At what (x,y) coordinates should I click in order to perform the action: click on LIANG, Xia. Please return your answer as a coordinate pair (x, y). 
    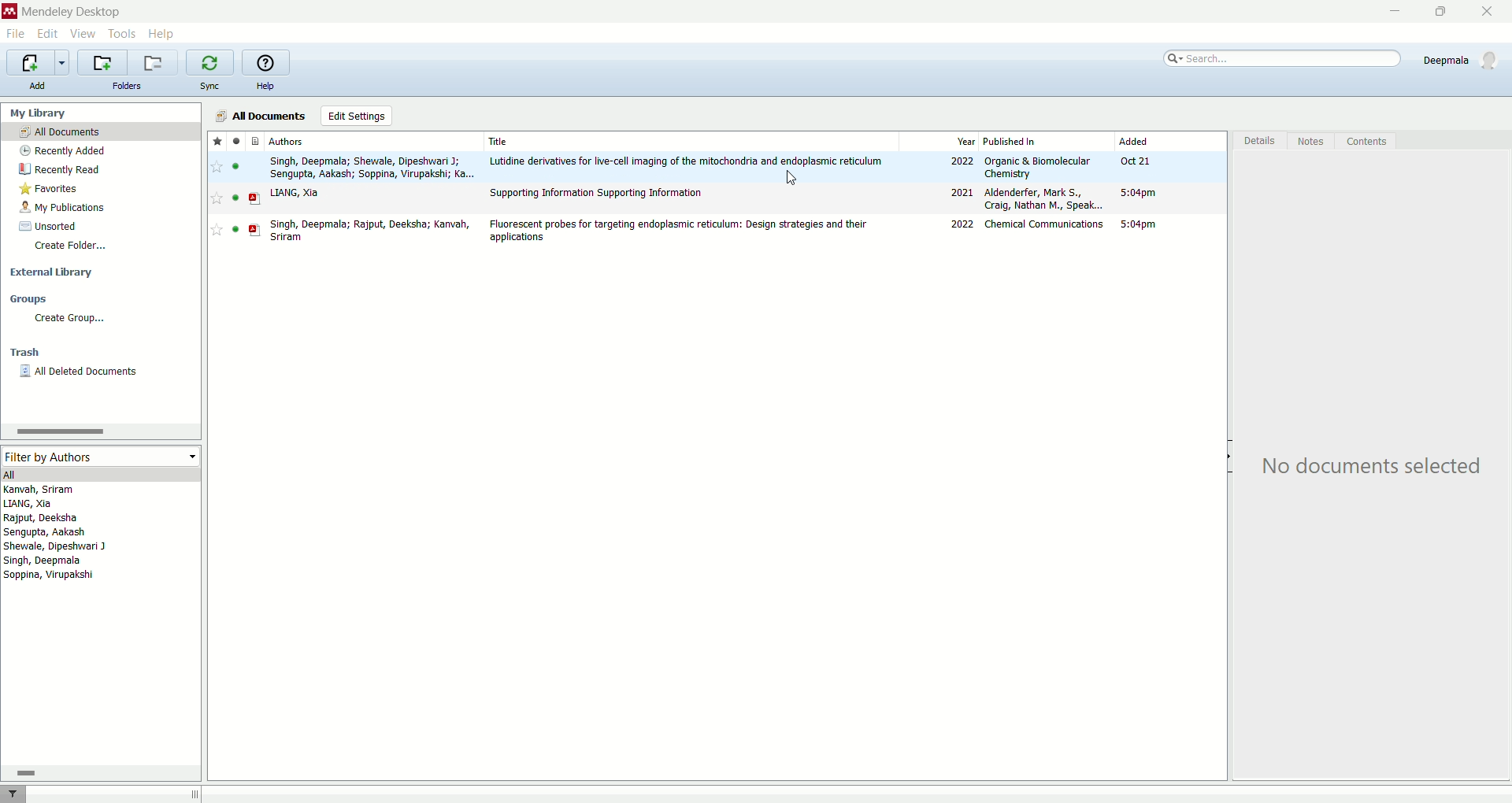
    Looking at the image, I should click on (295, 193).